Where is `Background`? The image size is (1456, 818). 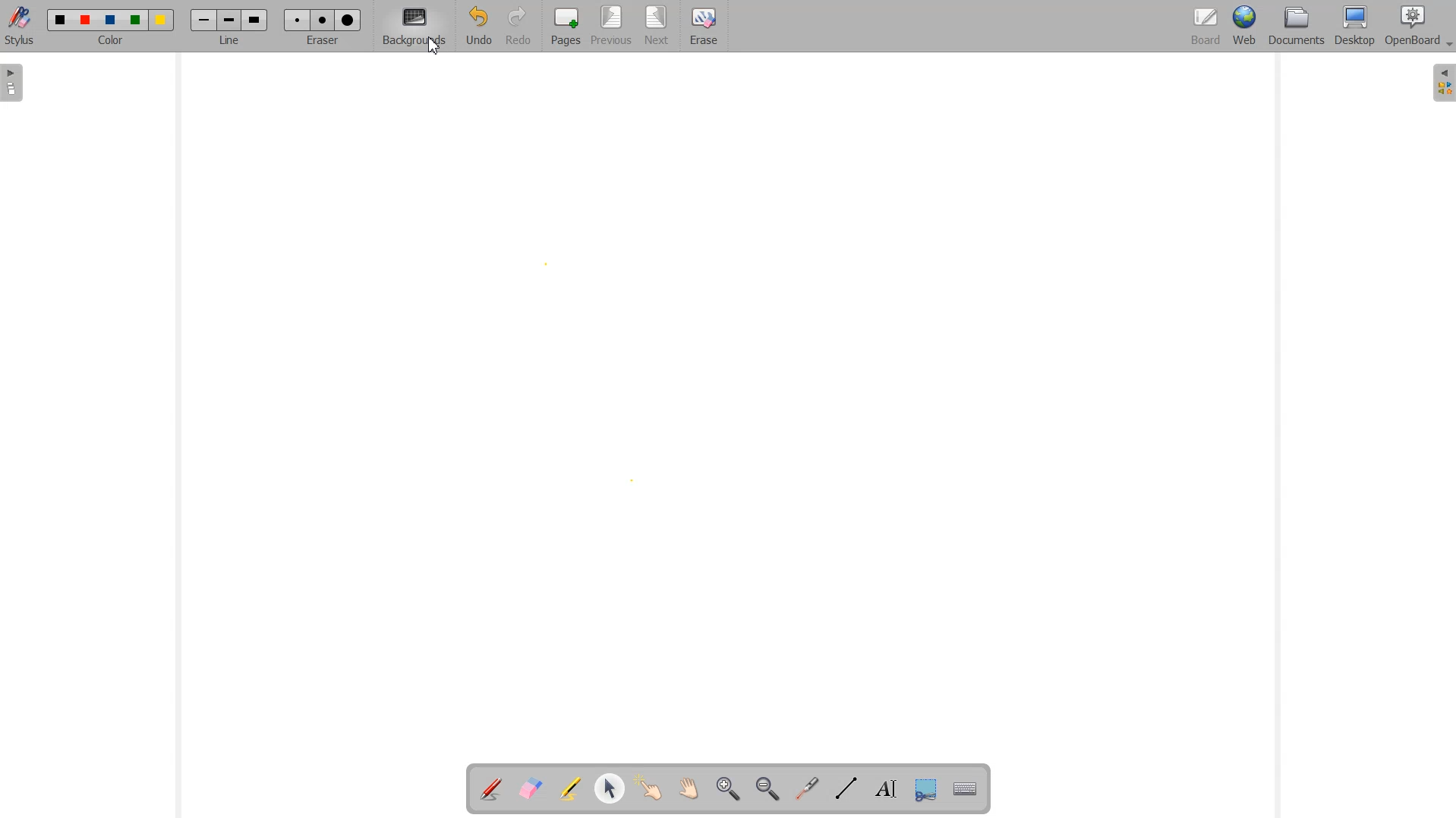
Background is located at coordinates (415, 27).